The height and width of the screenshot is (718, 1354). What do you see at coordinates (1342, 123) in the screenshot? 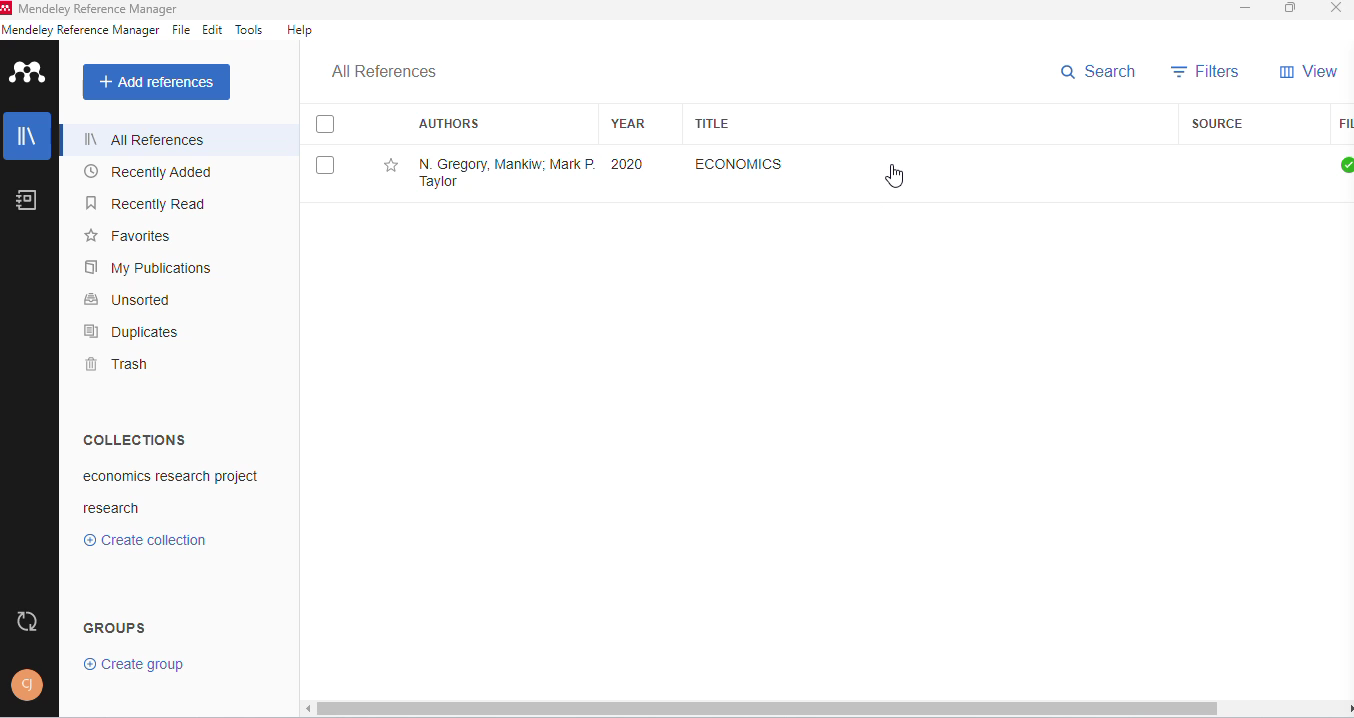
I see `files` at bounding box center [1342, 123].